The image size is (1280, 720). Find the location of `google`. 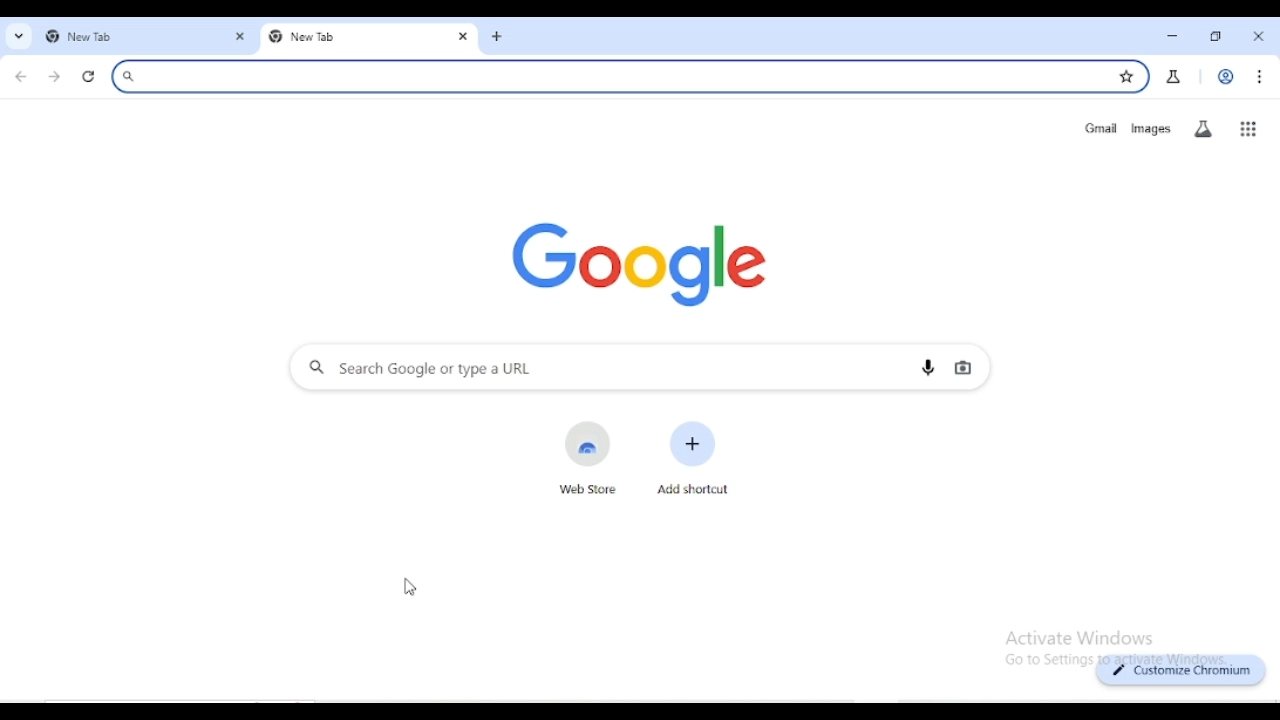

google is located at coordinates (640, 258).